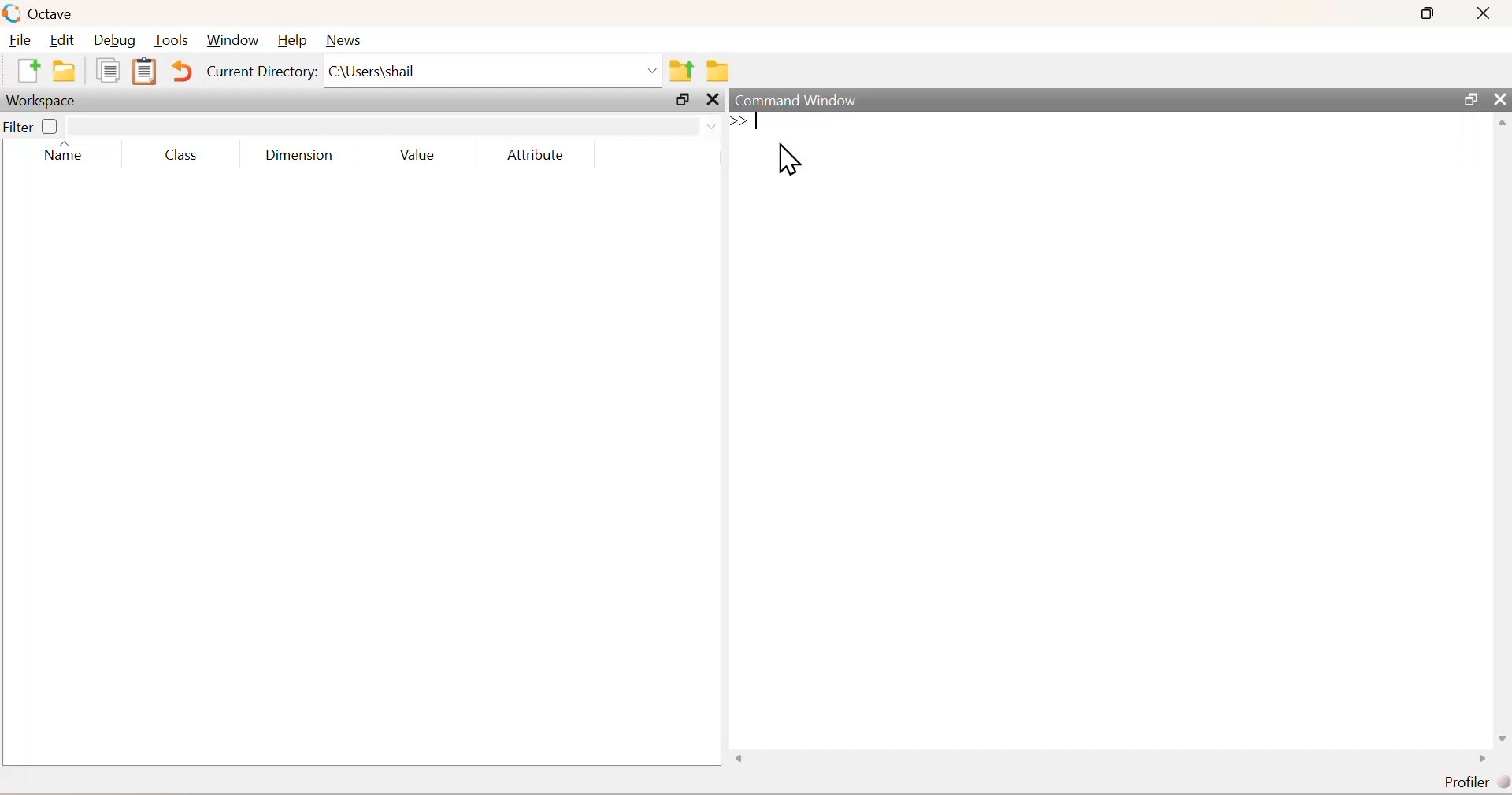  Describe the element at coordinates (262, 72) in the screenshot. I see `Current Directory` at that location.